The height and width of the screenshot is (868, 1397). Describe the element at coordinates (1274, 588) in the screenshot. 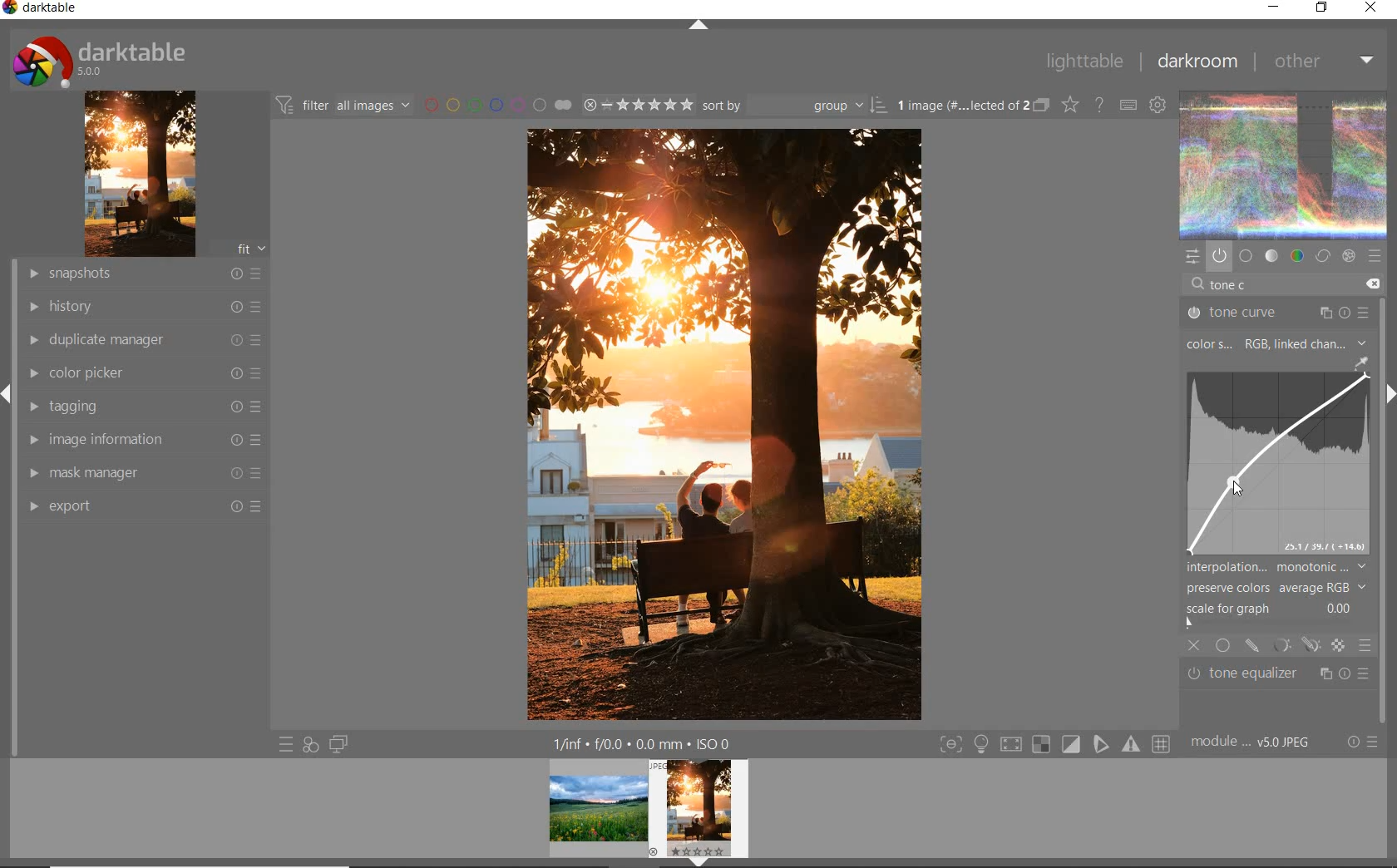

I see `preserve colors` at that location.